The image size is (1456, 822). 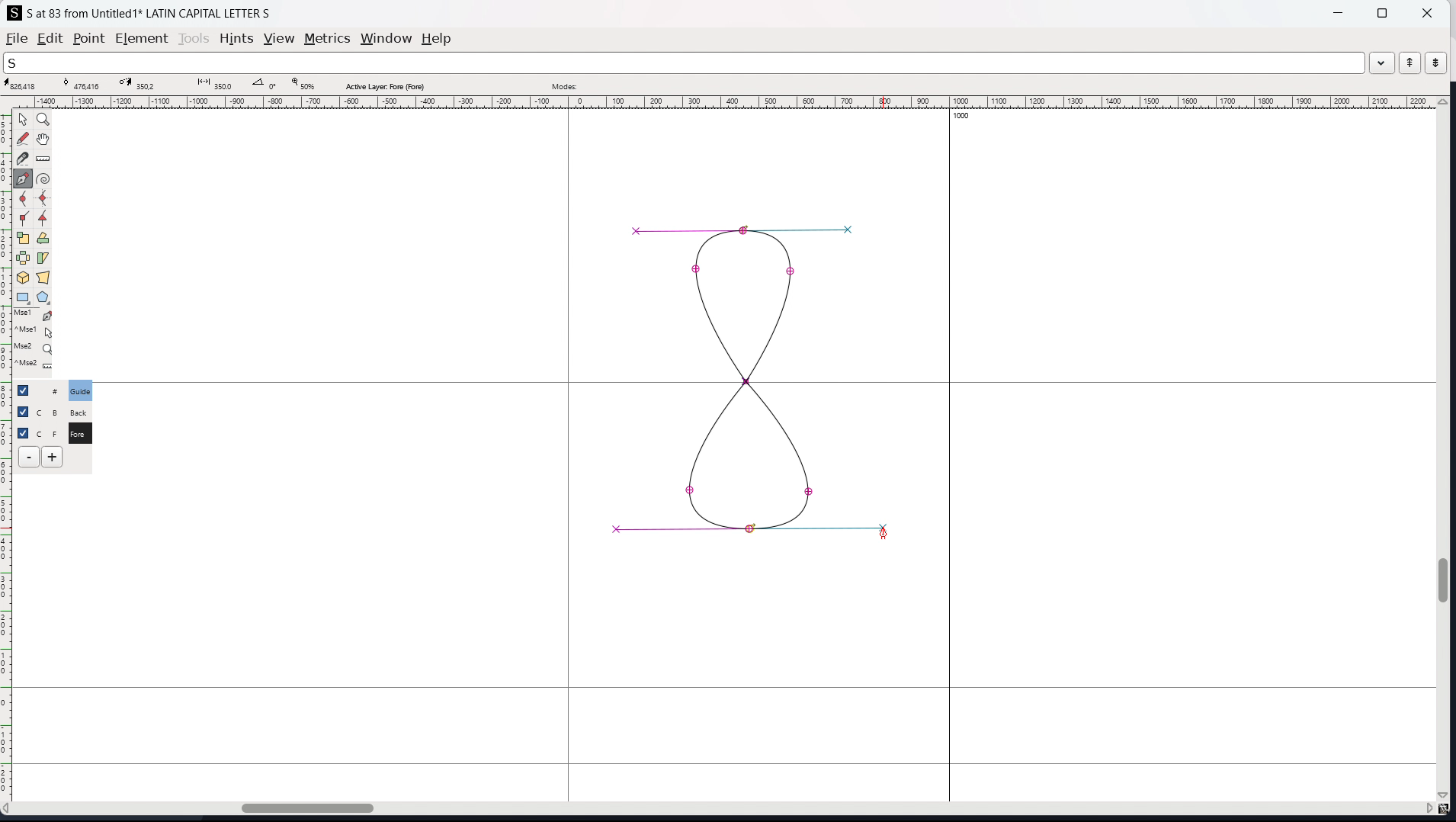 What do you see at coordinates (82, 390) in the screenshot?
I see `# Guide` at bounding box center [82, 390].